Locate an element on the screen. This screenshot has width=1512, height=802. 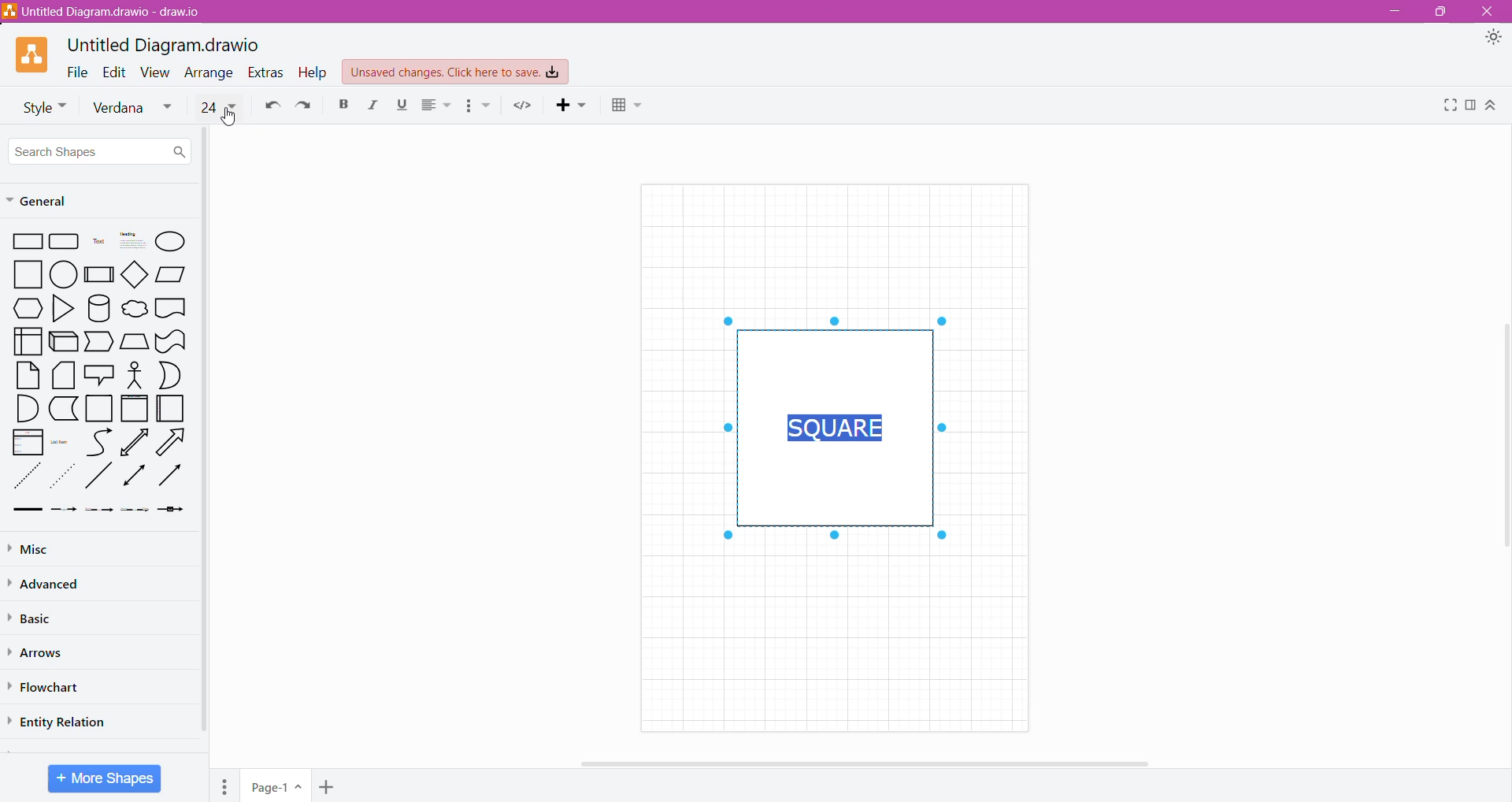
Extras is located at coordinates (265, 72).